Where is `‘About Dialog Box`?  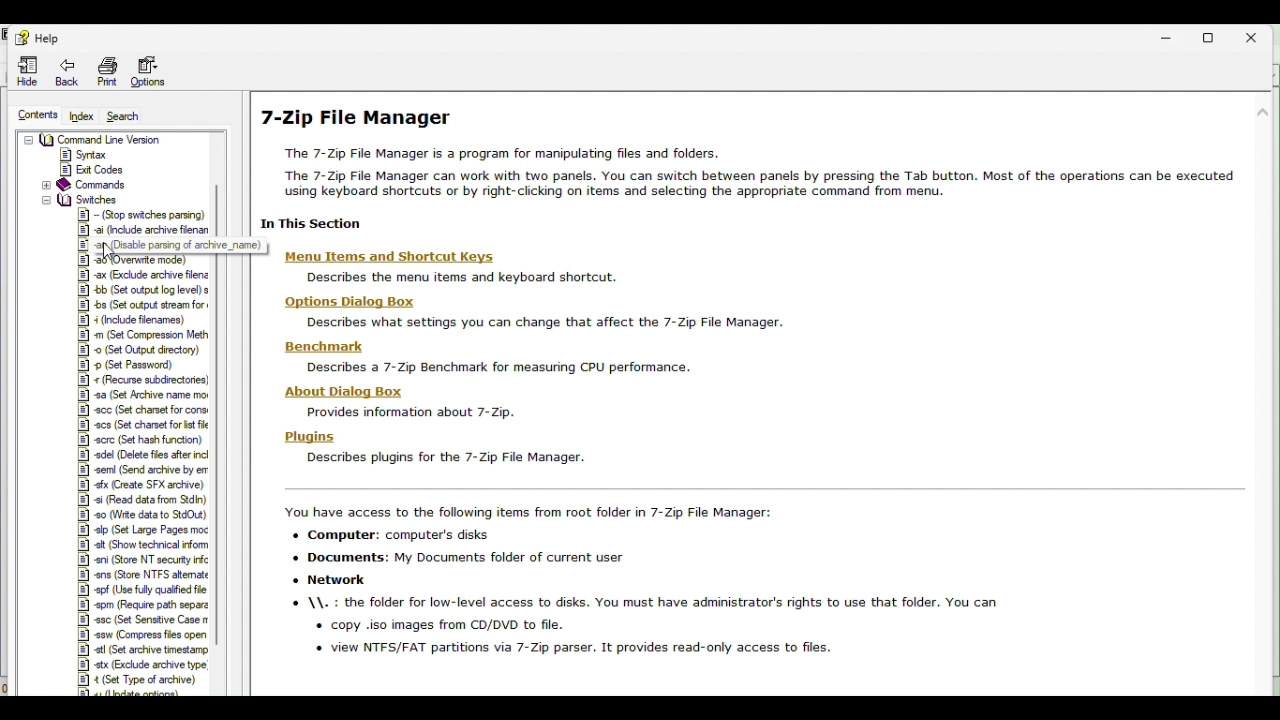 ‘About Dialog Box is located at coordinates (361, 391).